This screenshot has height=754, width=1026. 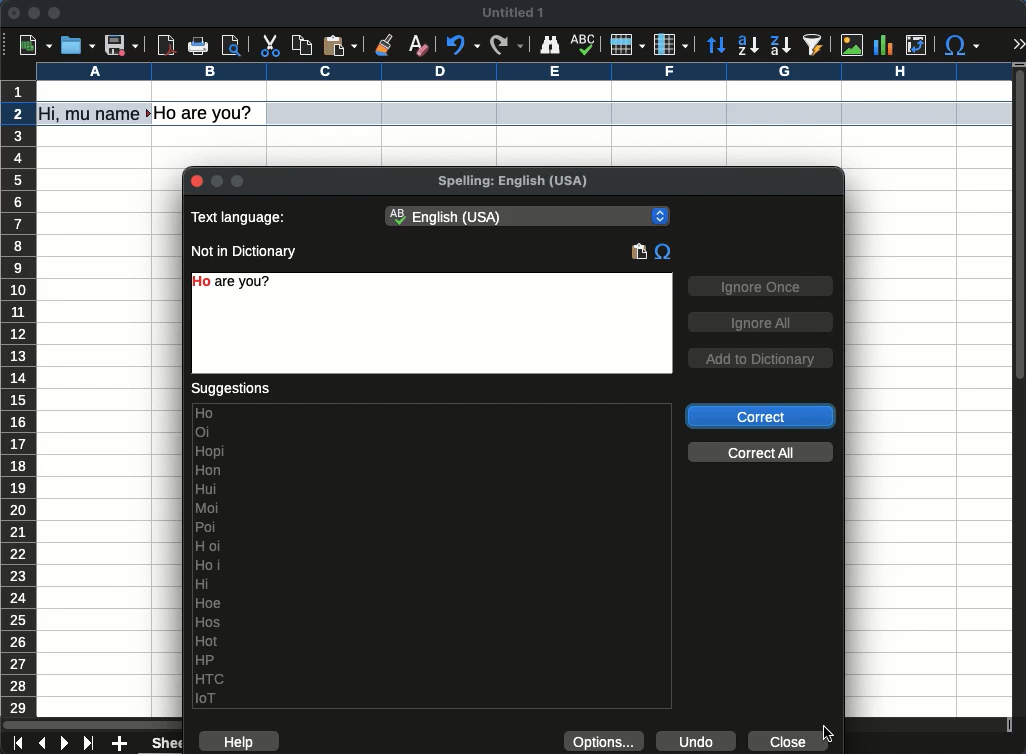 What do you see at coordinates (198, 183) in the screenshot?
I see `close` at bounding box center [198, 183].